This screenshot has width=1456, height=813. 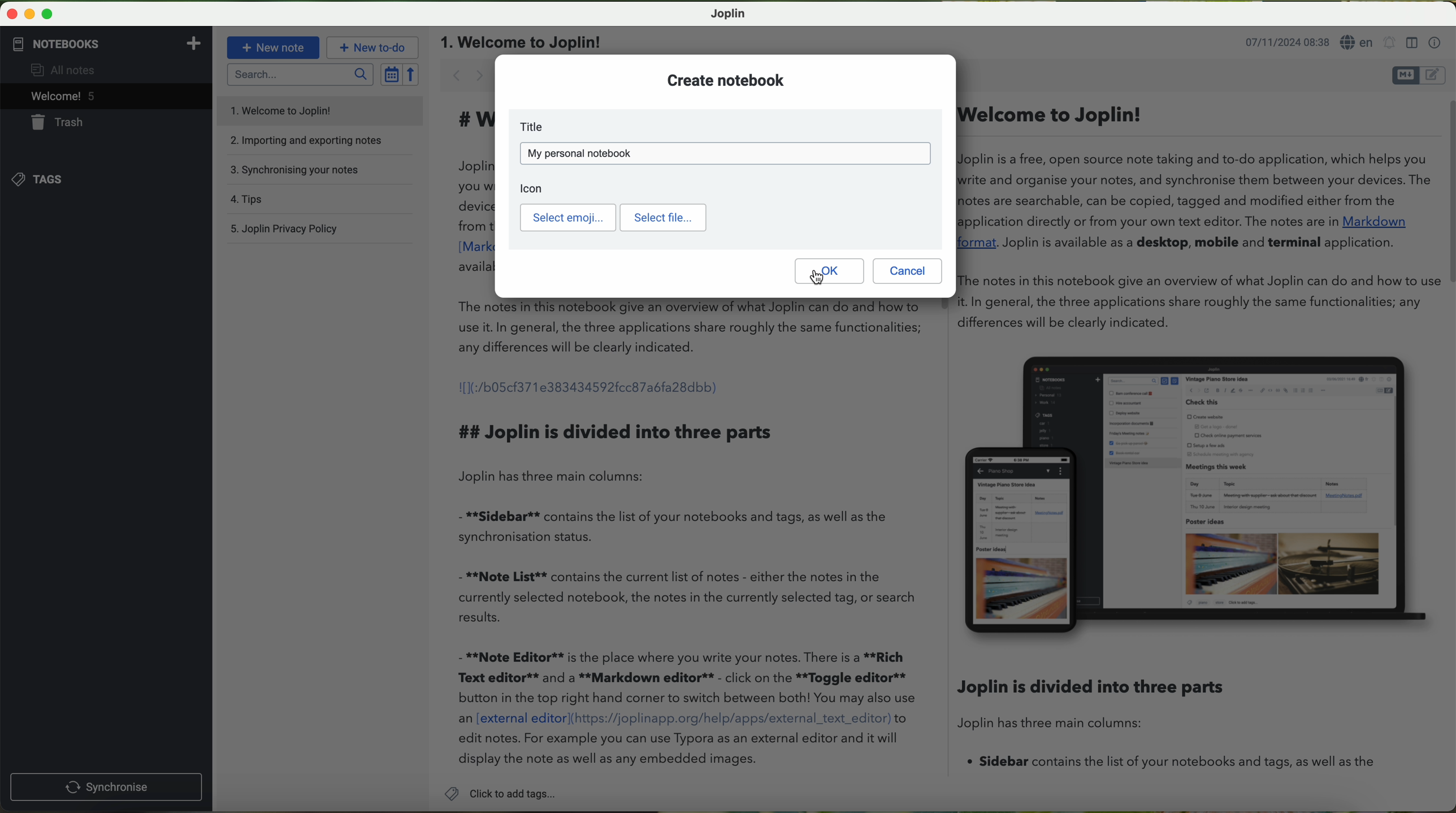 I want to click on close, so click(x=13, y=14).